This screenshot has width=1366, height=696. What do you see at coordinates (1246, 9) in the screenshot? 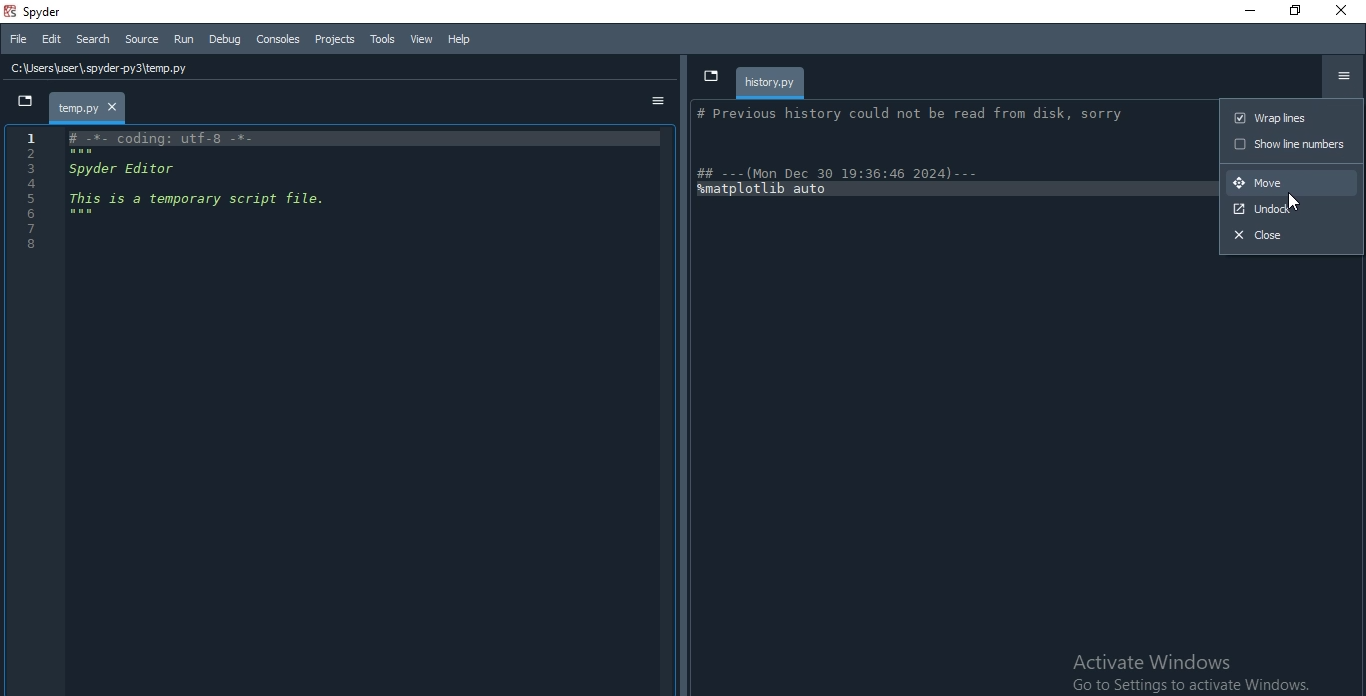
I see `Minimise` at bounding box center [1246, 9].